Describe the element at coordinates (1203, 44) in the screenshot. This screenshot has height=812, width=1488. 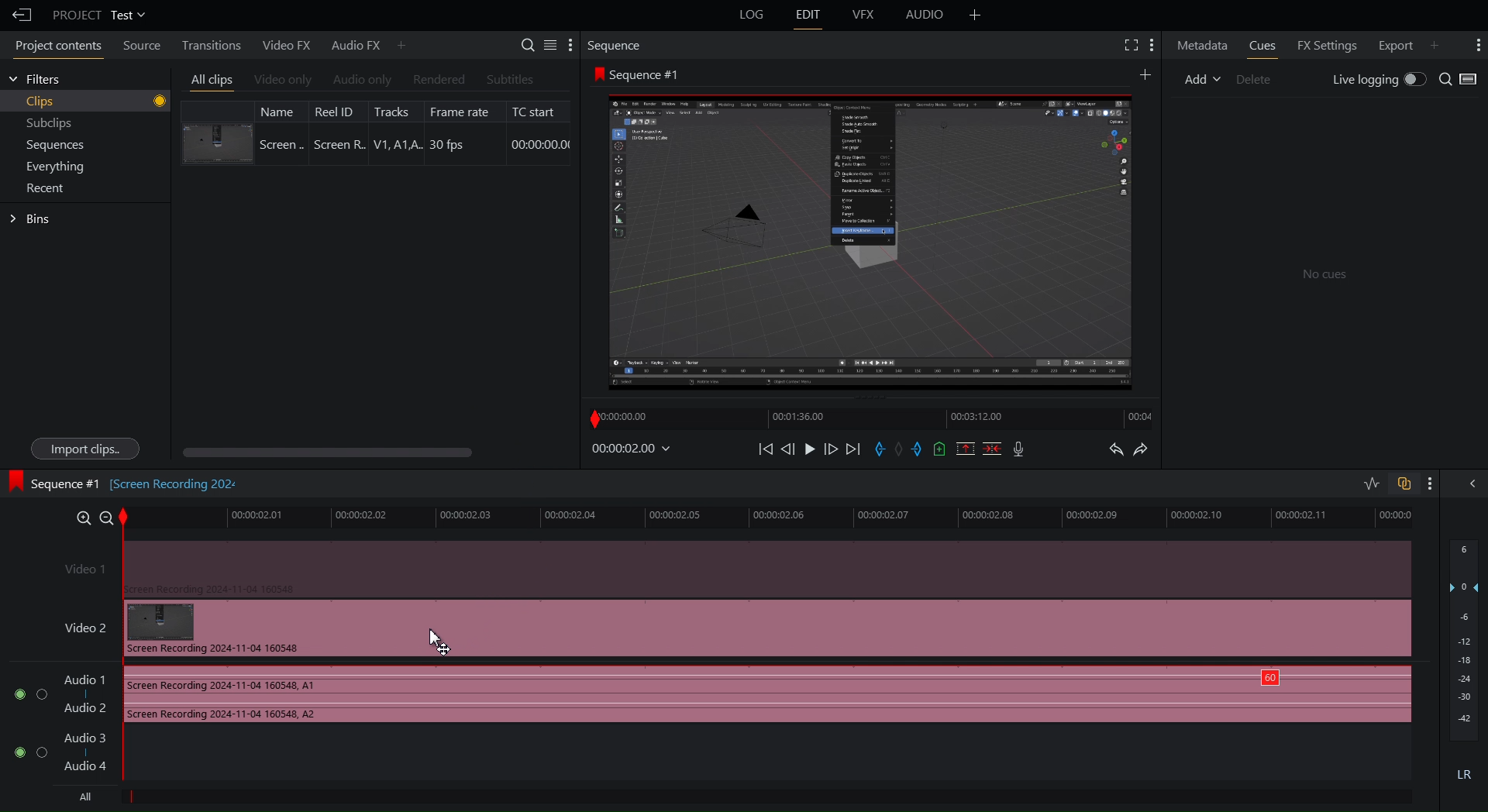
I see `Metadata` at that location.